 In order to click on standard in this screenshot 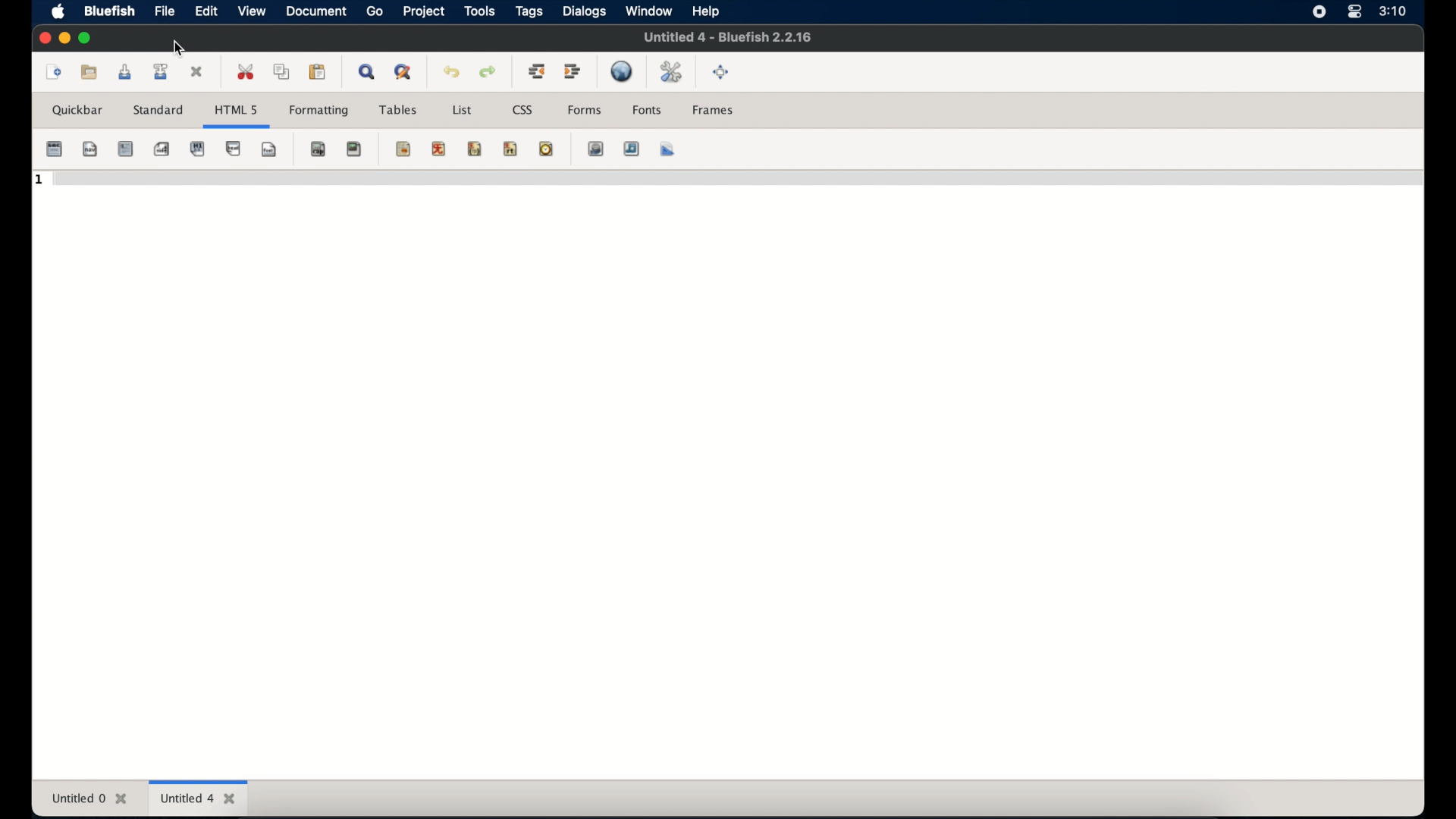, I will do `click(158, 116)`.